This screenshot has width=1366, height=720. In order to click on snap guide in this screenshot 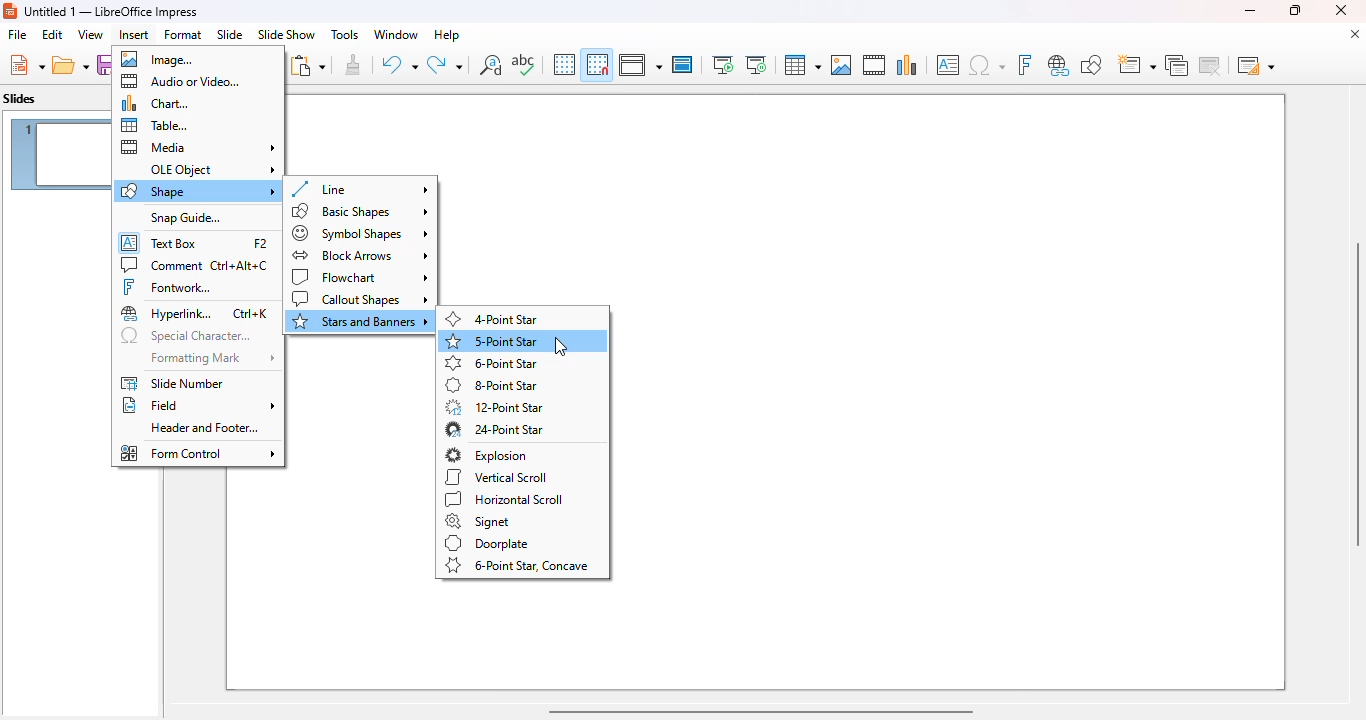, I will do `click(184, 218)`.